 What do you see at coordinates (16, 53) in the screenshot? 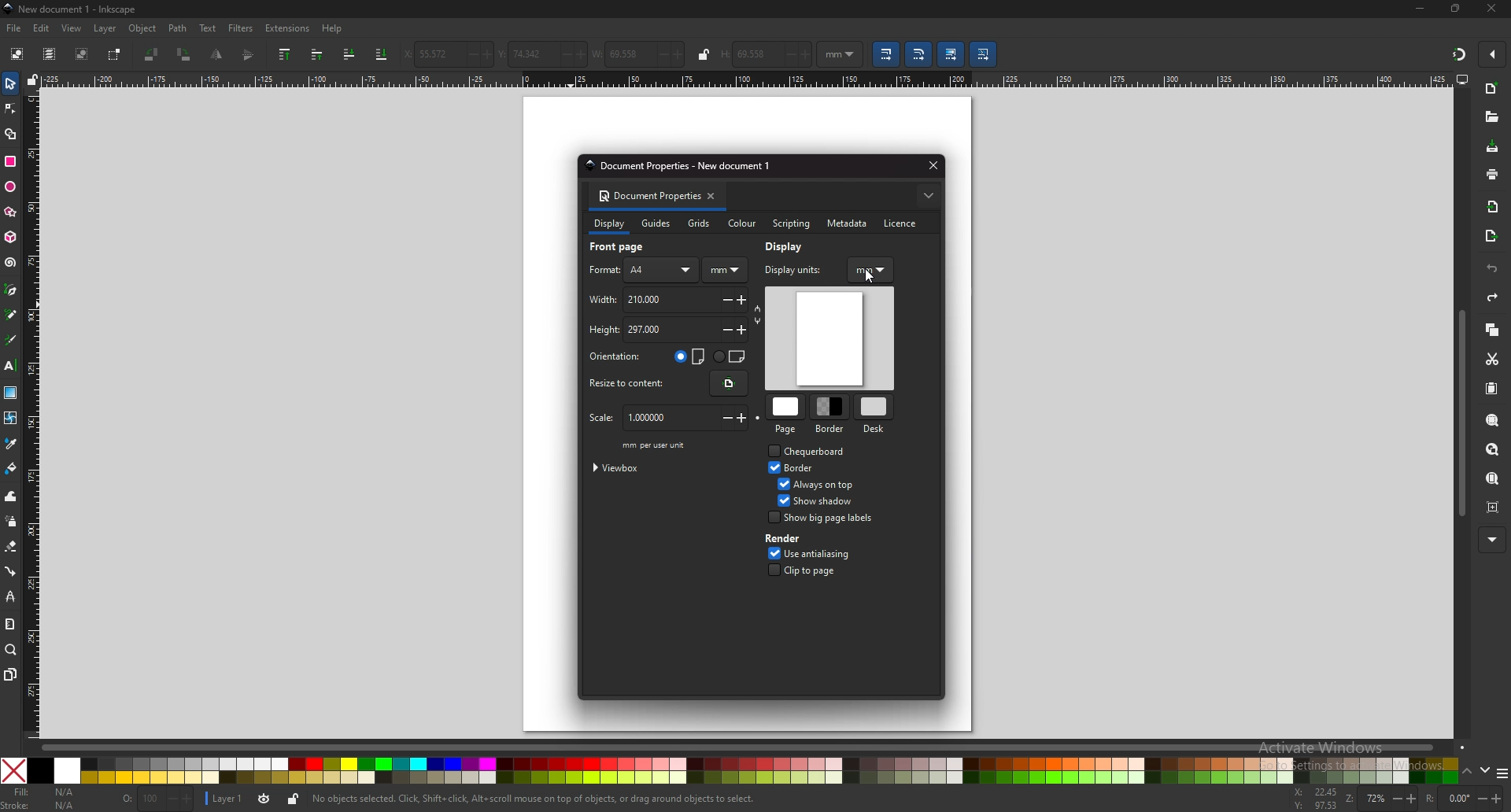
I see `select all objects` at bounding box center [16, 53].